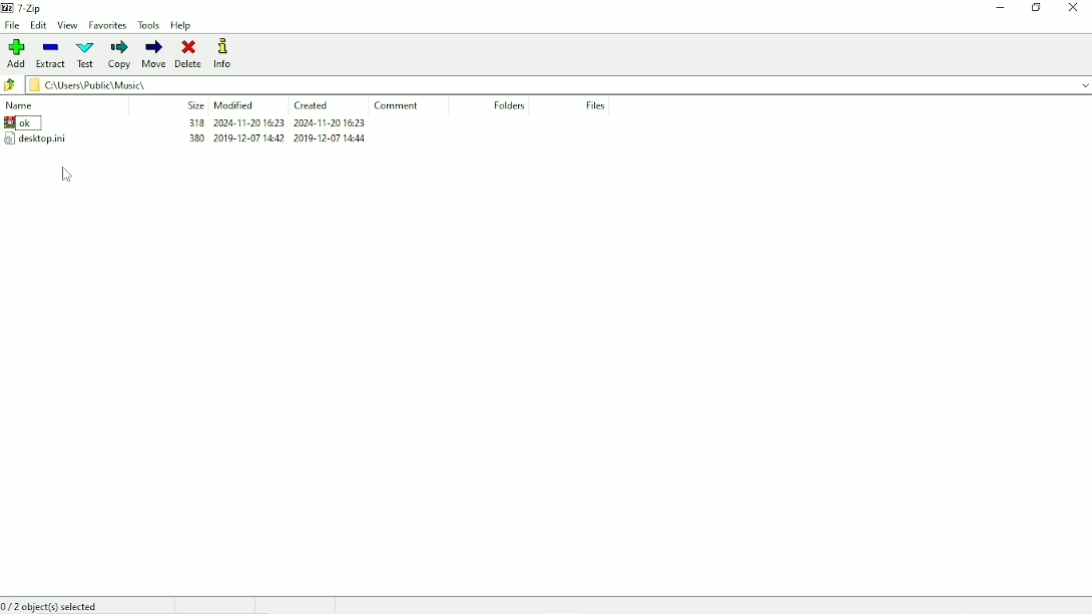 This screenshot has height=614, width=1092. What do you see at coordinates (35, 138) in the screenshot?
I see `desktop.ini` at bounding box center [35, 138].